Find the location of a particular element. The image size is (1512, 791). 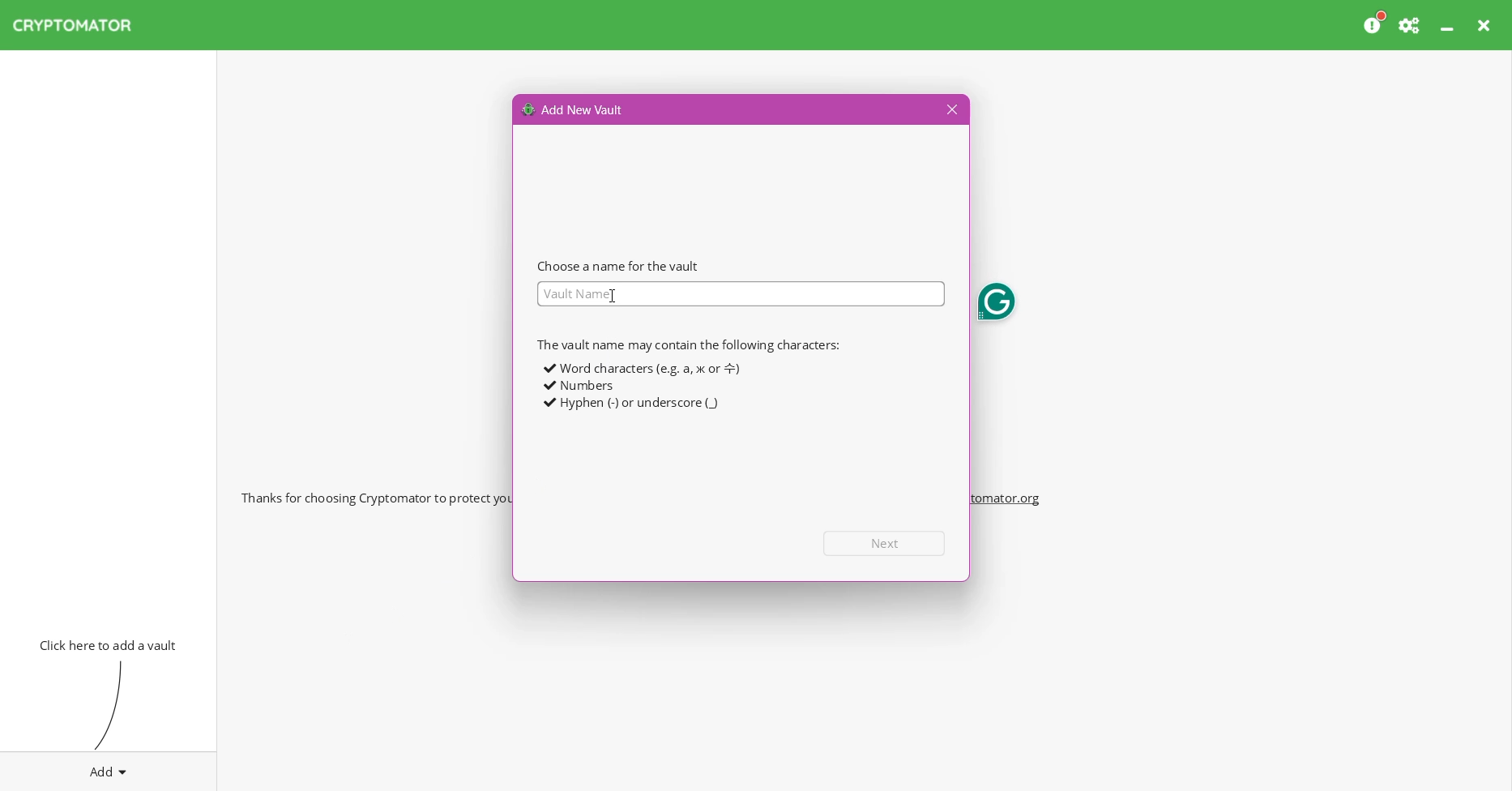

Insertion cursor is located at coordinates (611, 294).